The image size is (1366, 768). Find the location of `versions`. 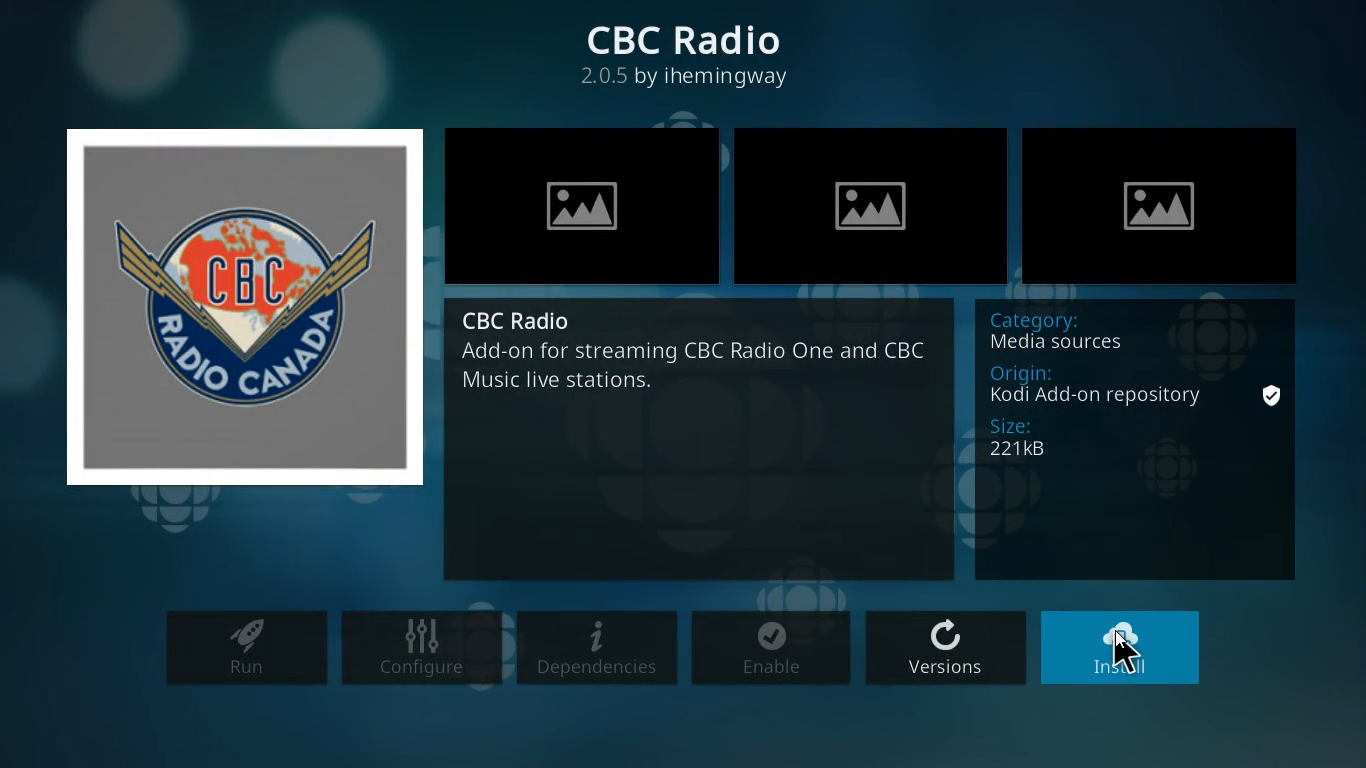

versions is located at coordinates (943, 650).